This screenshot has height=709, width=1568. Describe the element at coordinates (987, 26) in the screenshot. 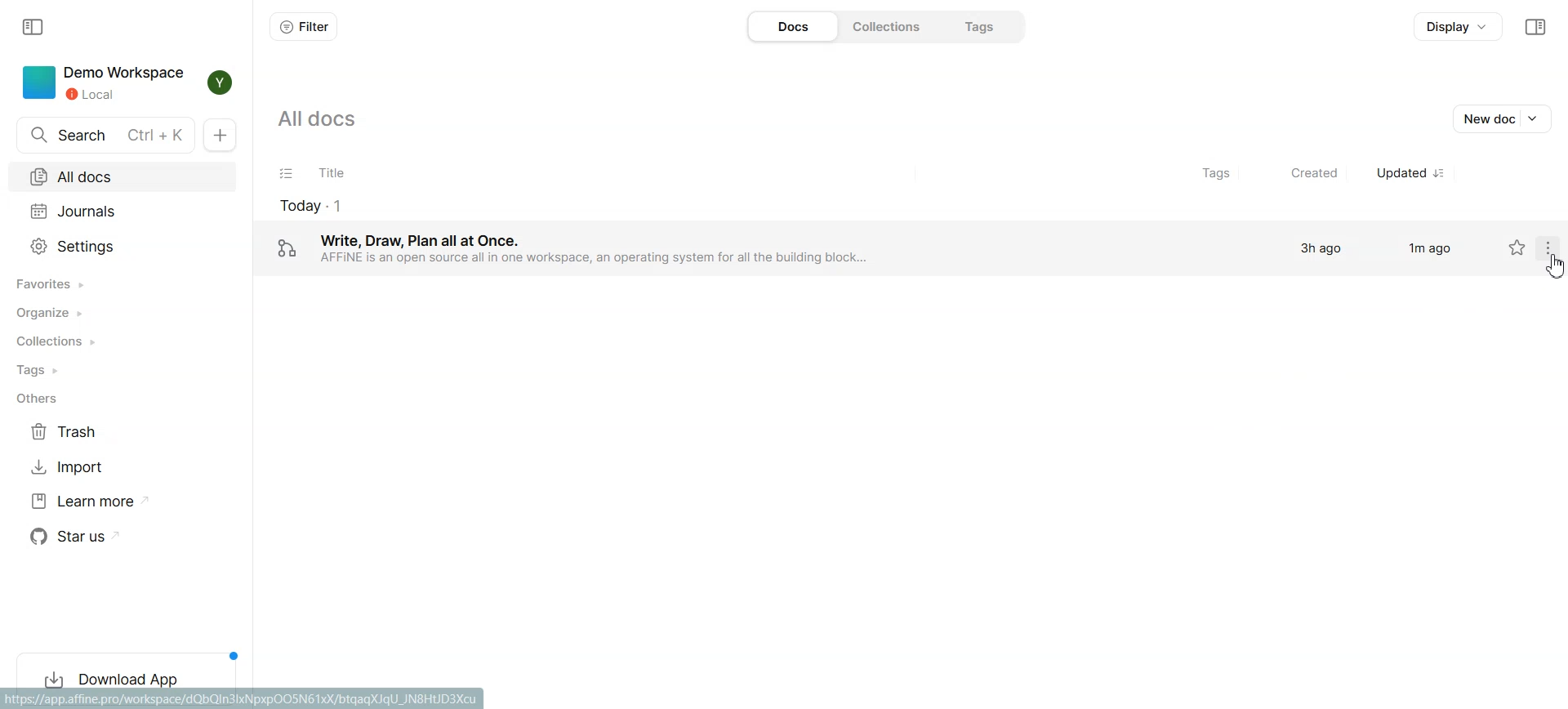

I see `Tags` at that location.